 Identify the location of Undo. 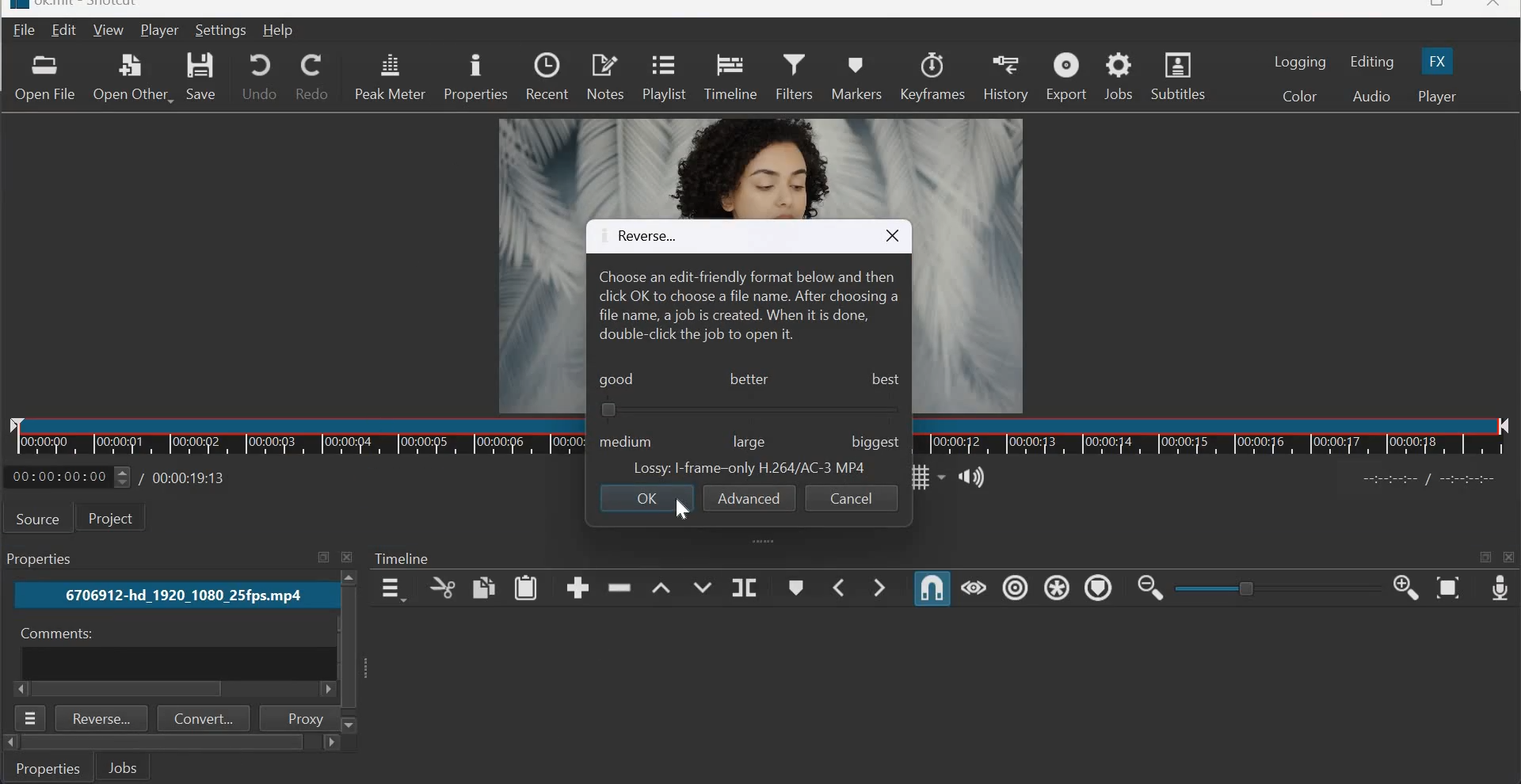
(260, 75).